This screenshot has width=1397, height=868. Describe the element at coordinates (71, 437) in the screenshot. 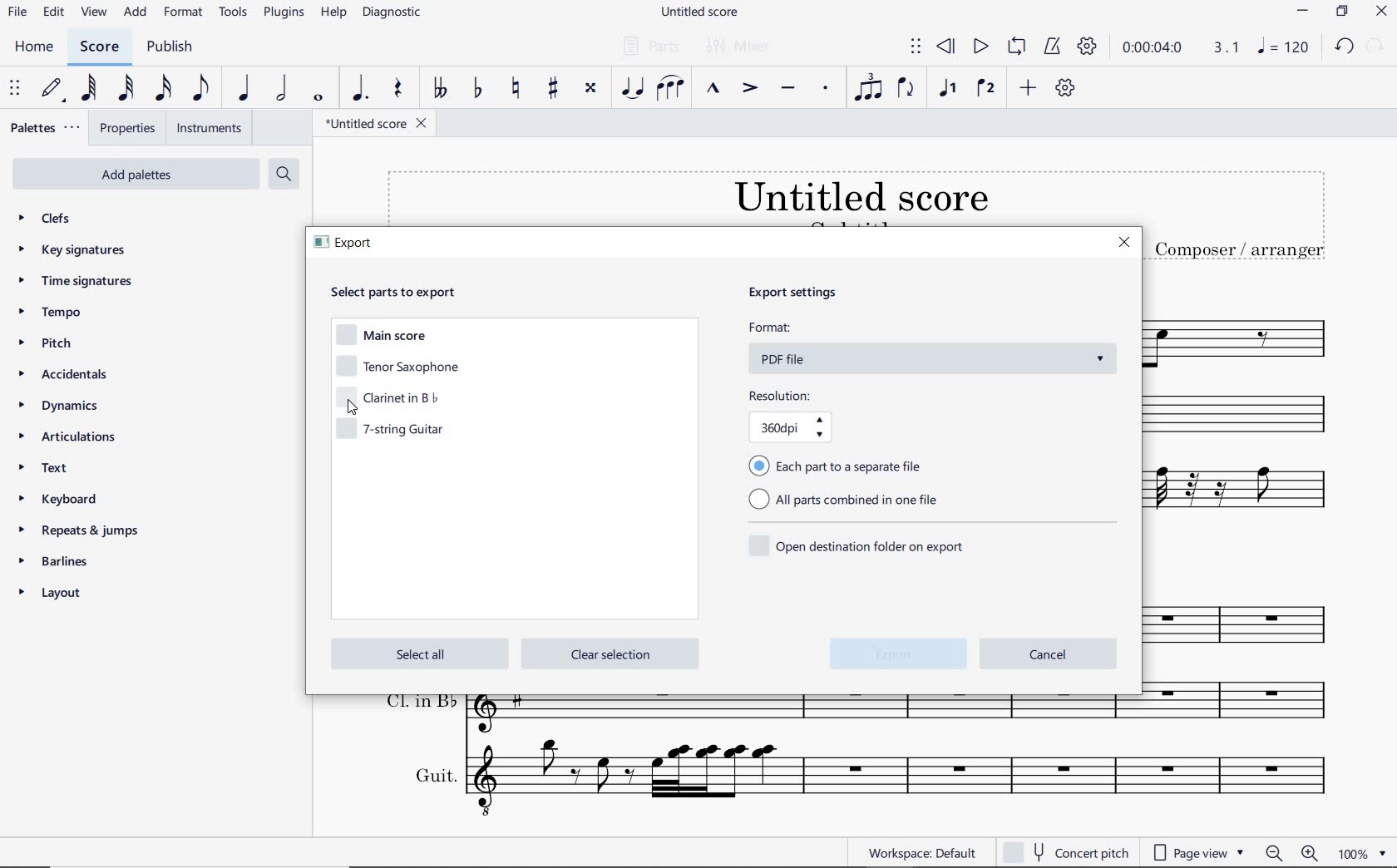

I see `articulations` at that location.